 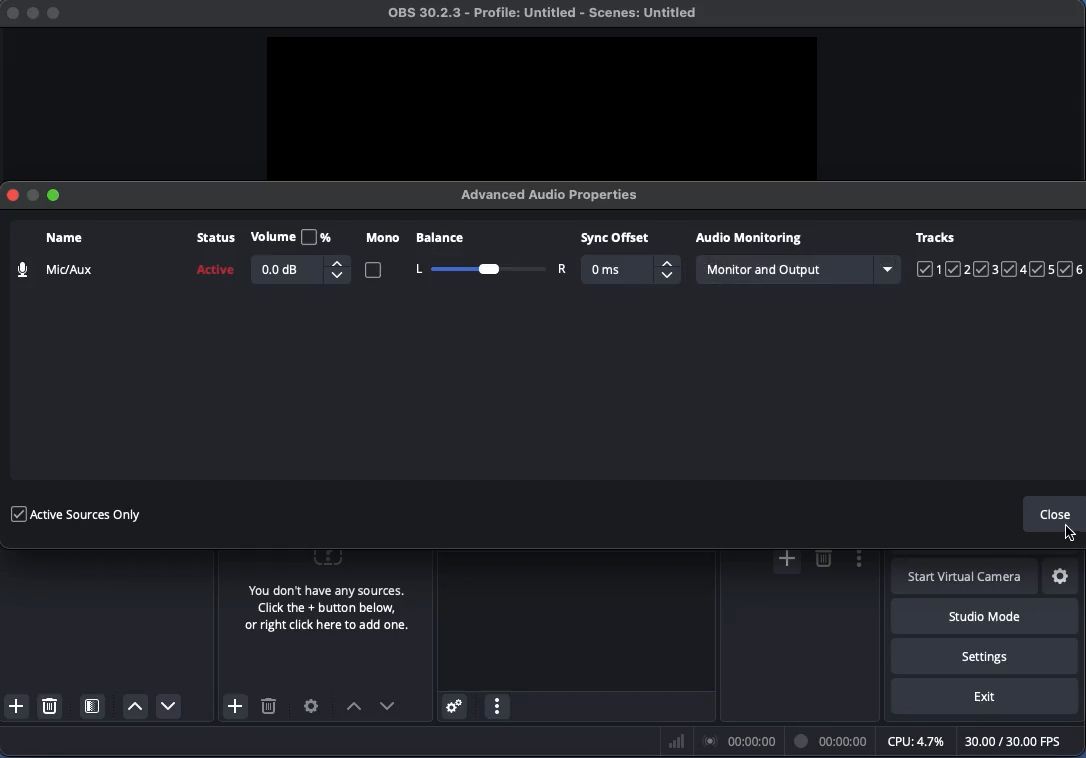 What do you see at coordinates (629, 258) in the screenshot?
I see `Sync offset` at bounding box center [629, 258].